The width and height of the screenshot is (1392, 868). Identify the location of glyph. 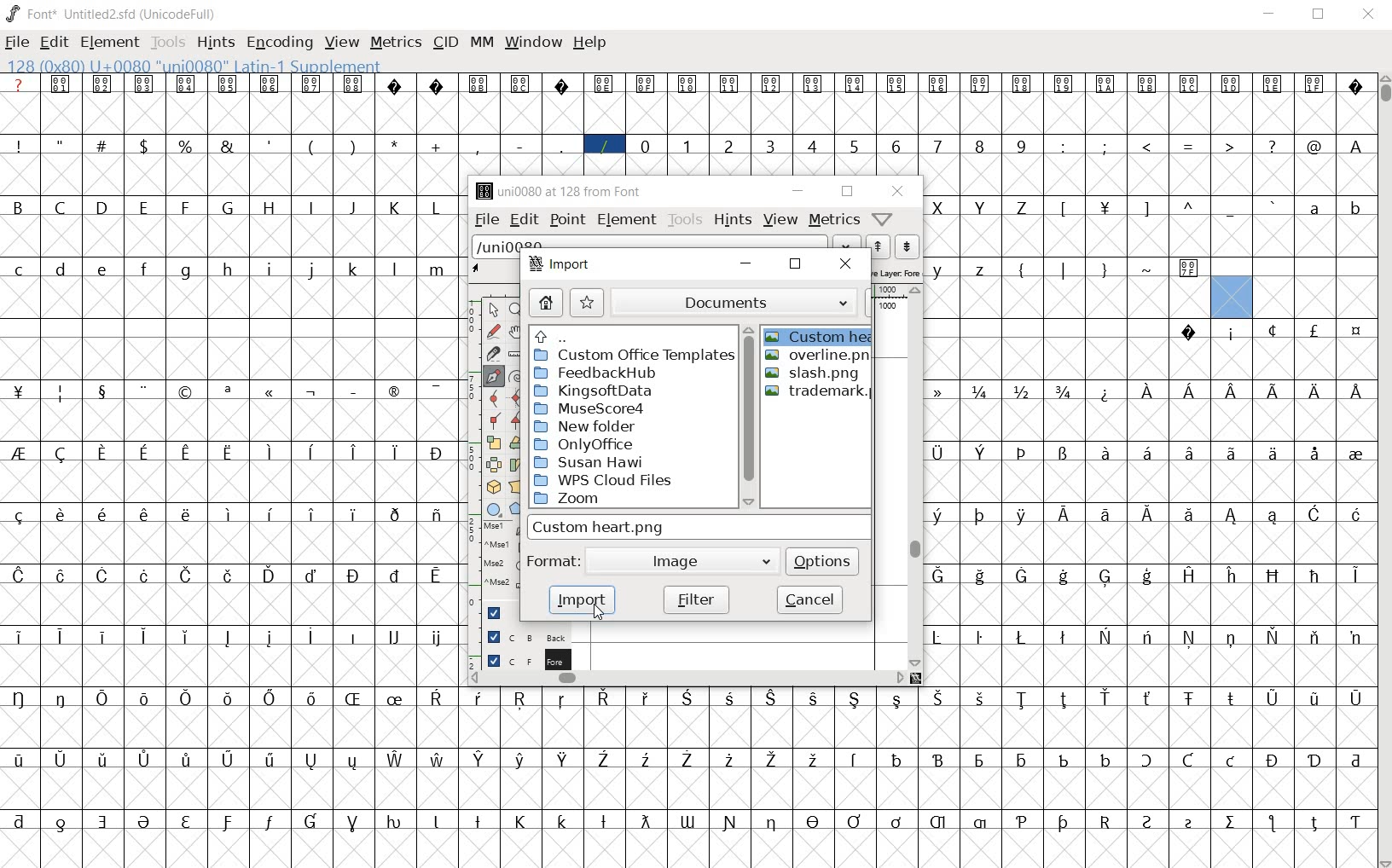
(937, 454).